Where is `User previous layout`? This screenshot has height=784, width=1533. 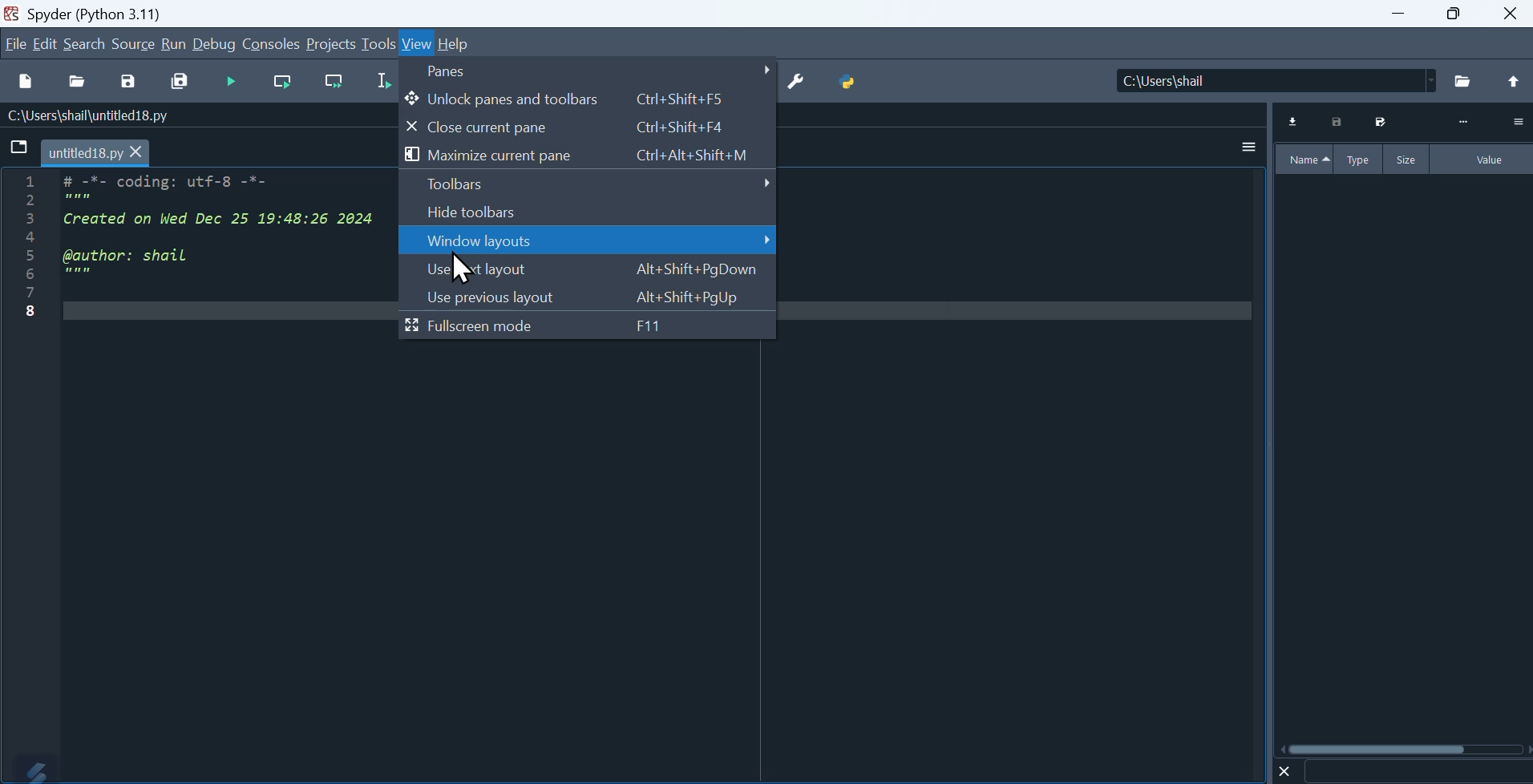 User previous layout is located at coordinates (586, 297).